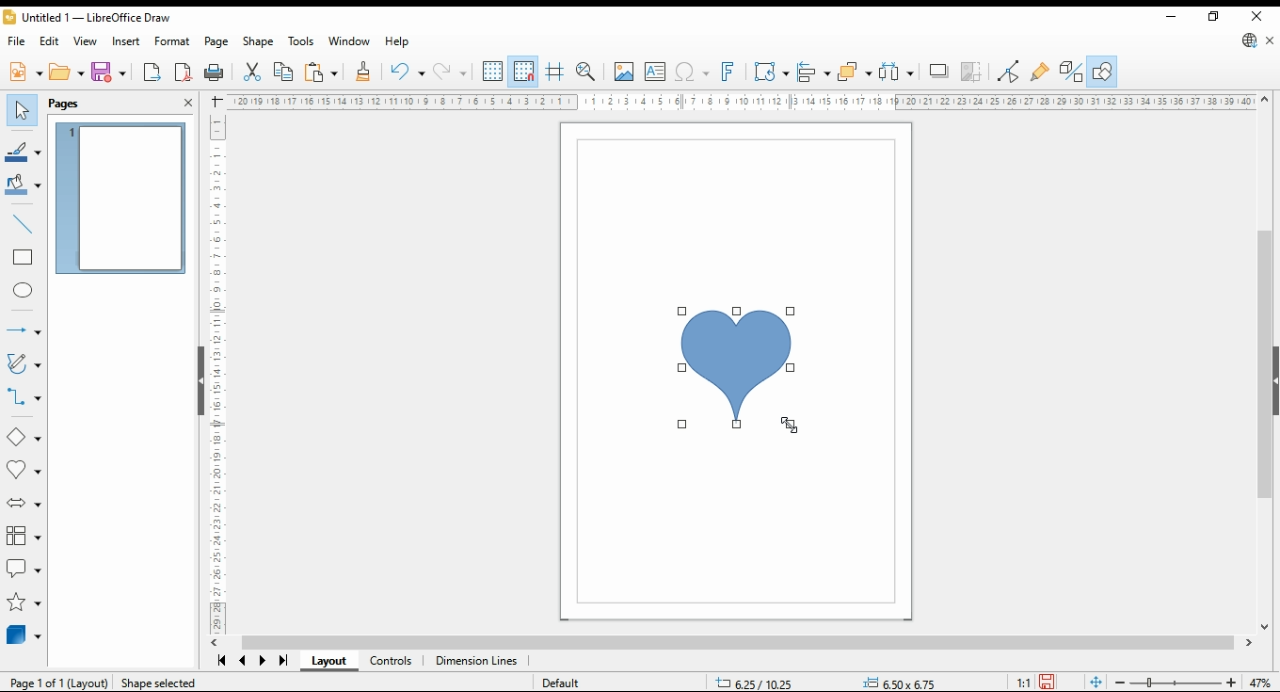 The width and height of the screenshot is (1280, 692). I want to click on shadow, so click(938, 71).